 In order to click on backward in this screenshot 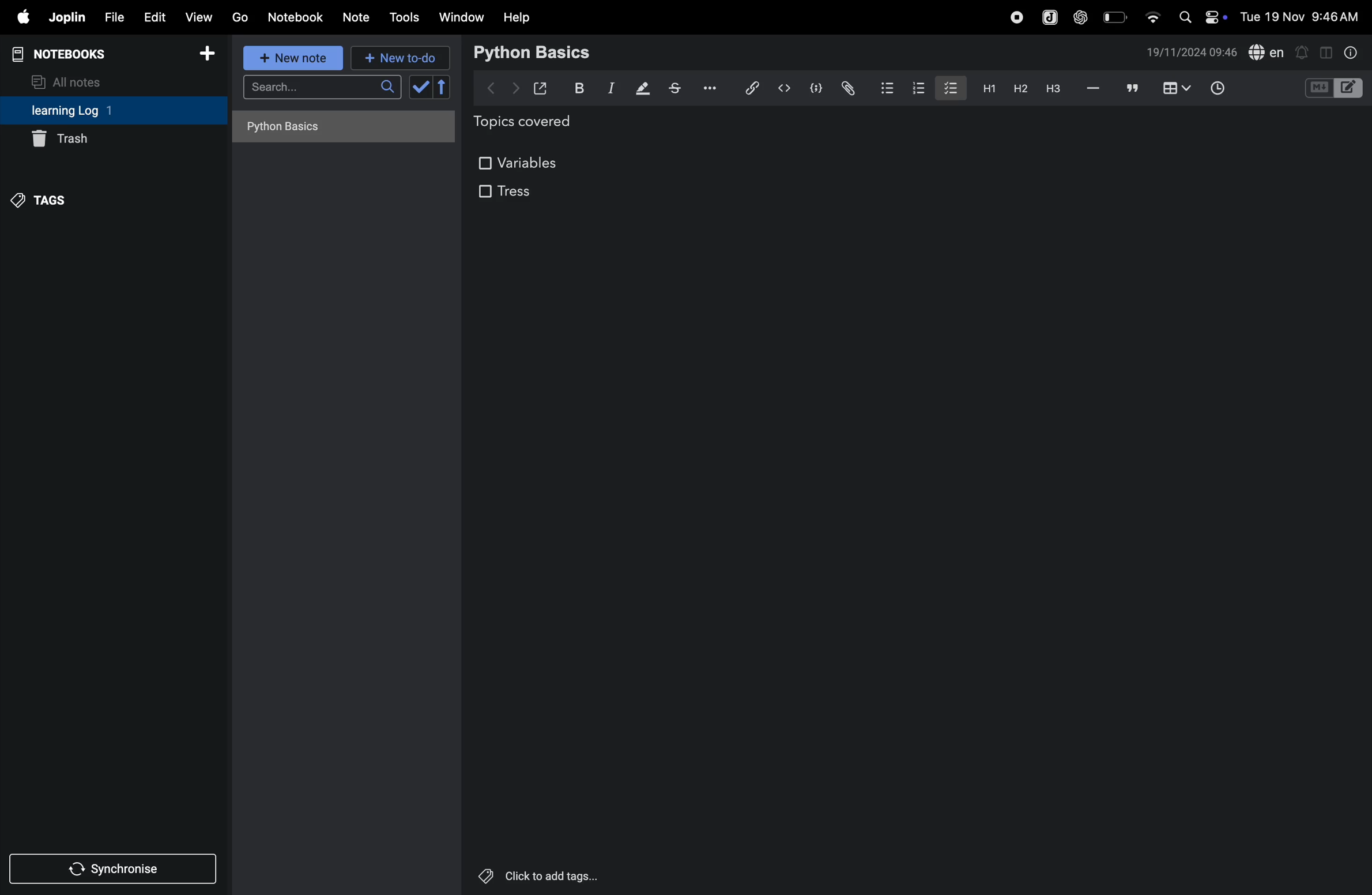, I will do `click(492, 87)`.